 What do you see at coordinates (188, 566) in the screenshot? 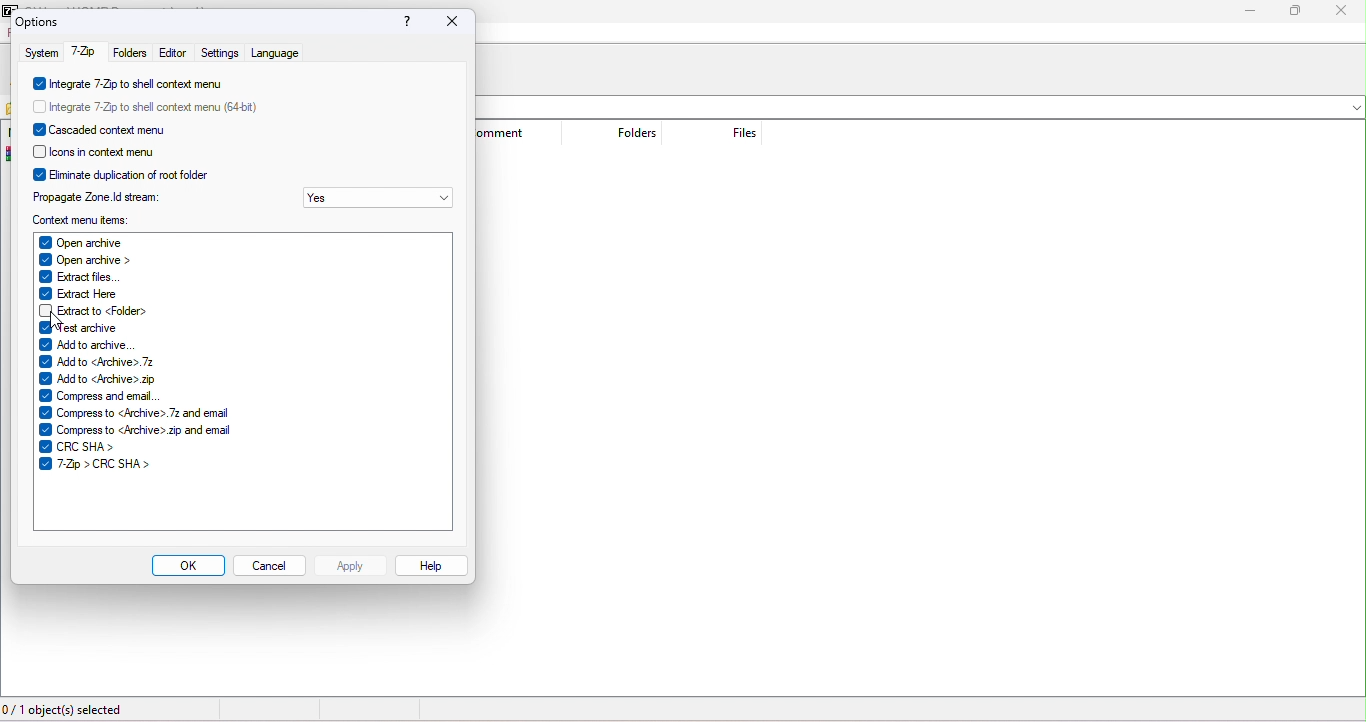
I see `ok` at bounding box center [188, 566].